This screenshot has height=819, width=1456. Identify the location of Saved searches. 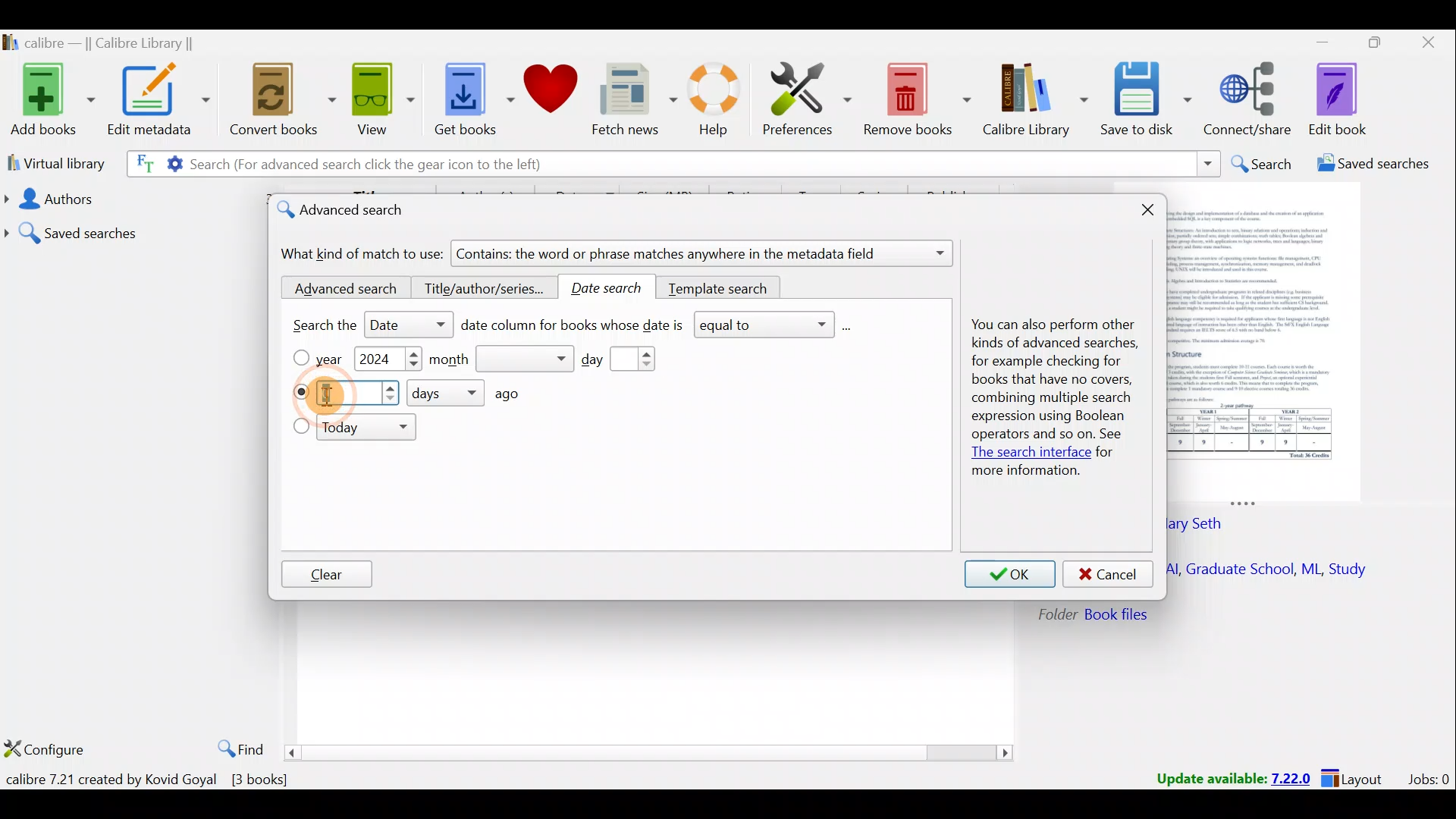
(133, 227).